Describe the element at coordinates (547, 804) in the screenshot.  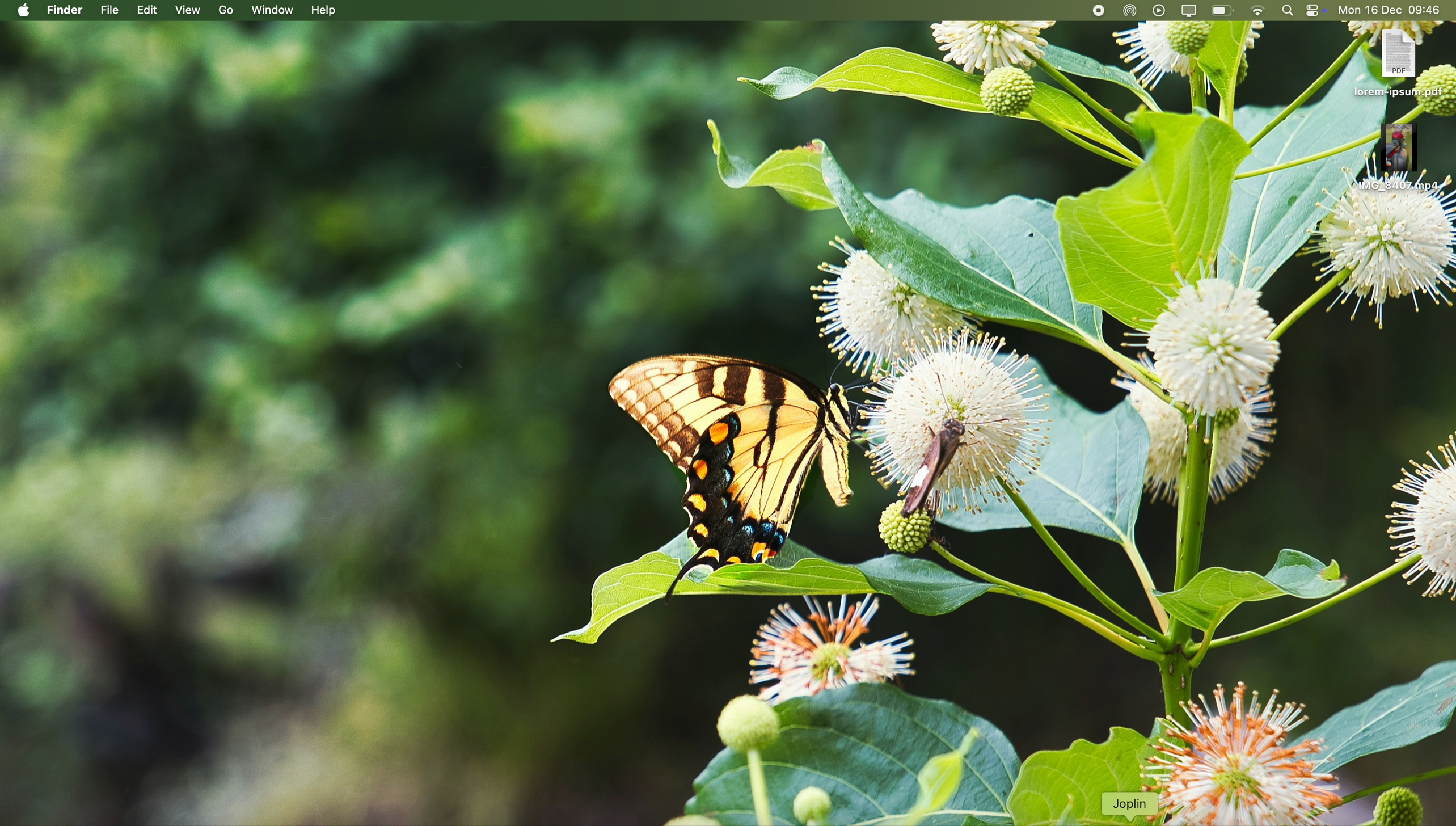
I see `background` at that location.